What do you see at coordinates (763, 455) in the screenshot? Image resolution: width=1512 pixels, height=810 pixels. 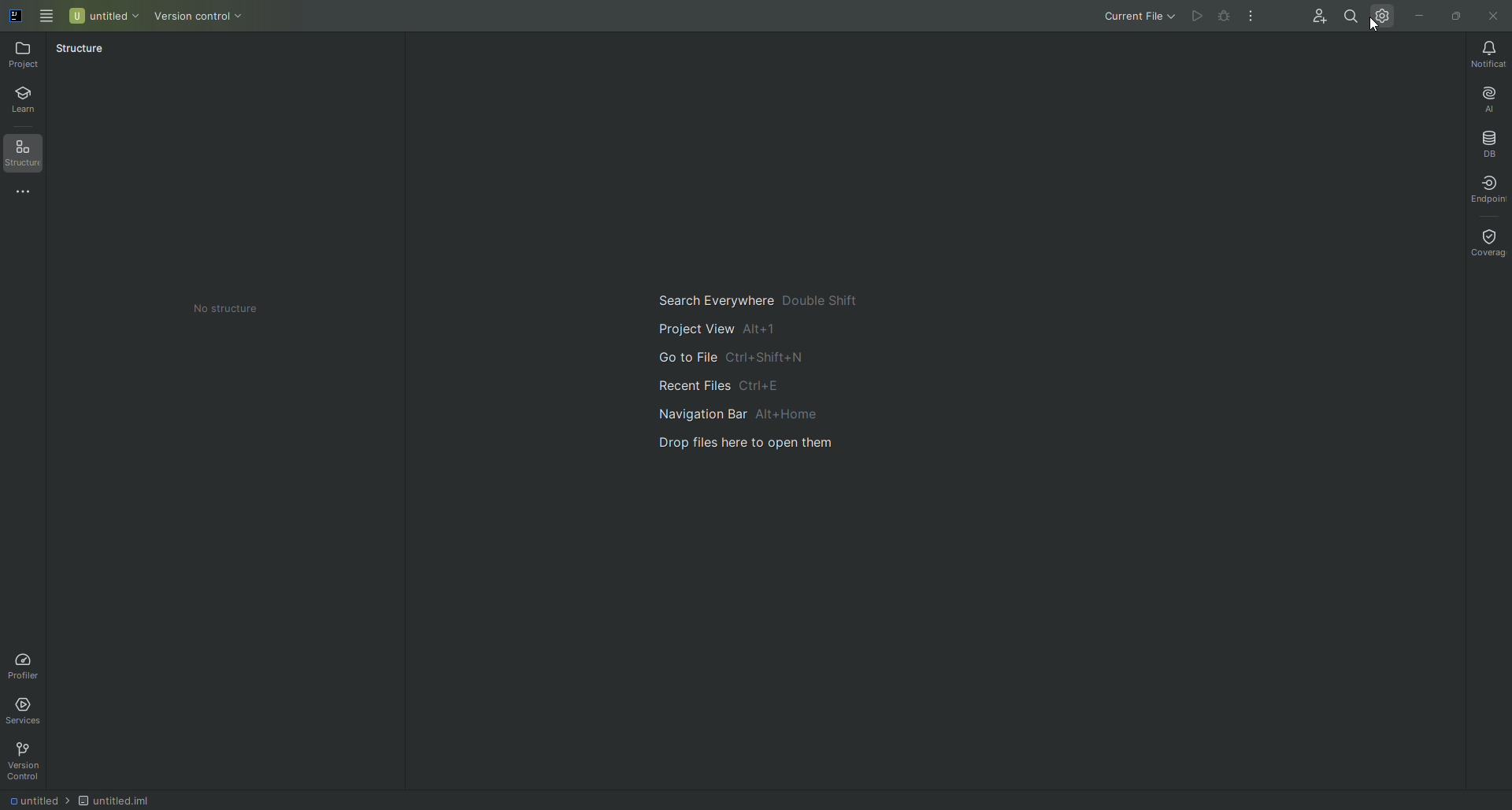 I see `drop files here to open them` at bounding box center [763, 455].